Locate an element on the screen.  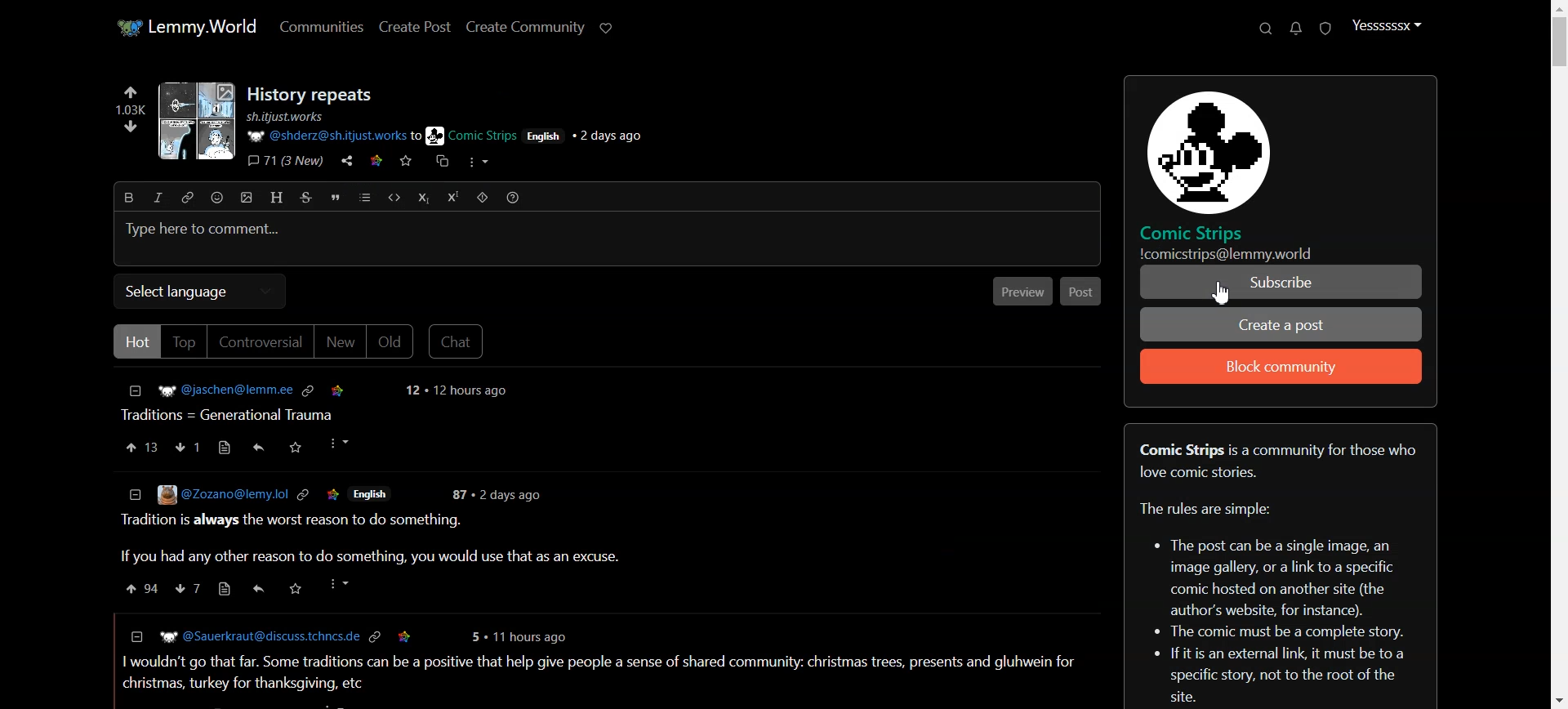
Link is located at coordinates (376, 635).